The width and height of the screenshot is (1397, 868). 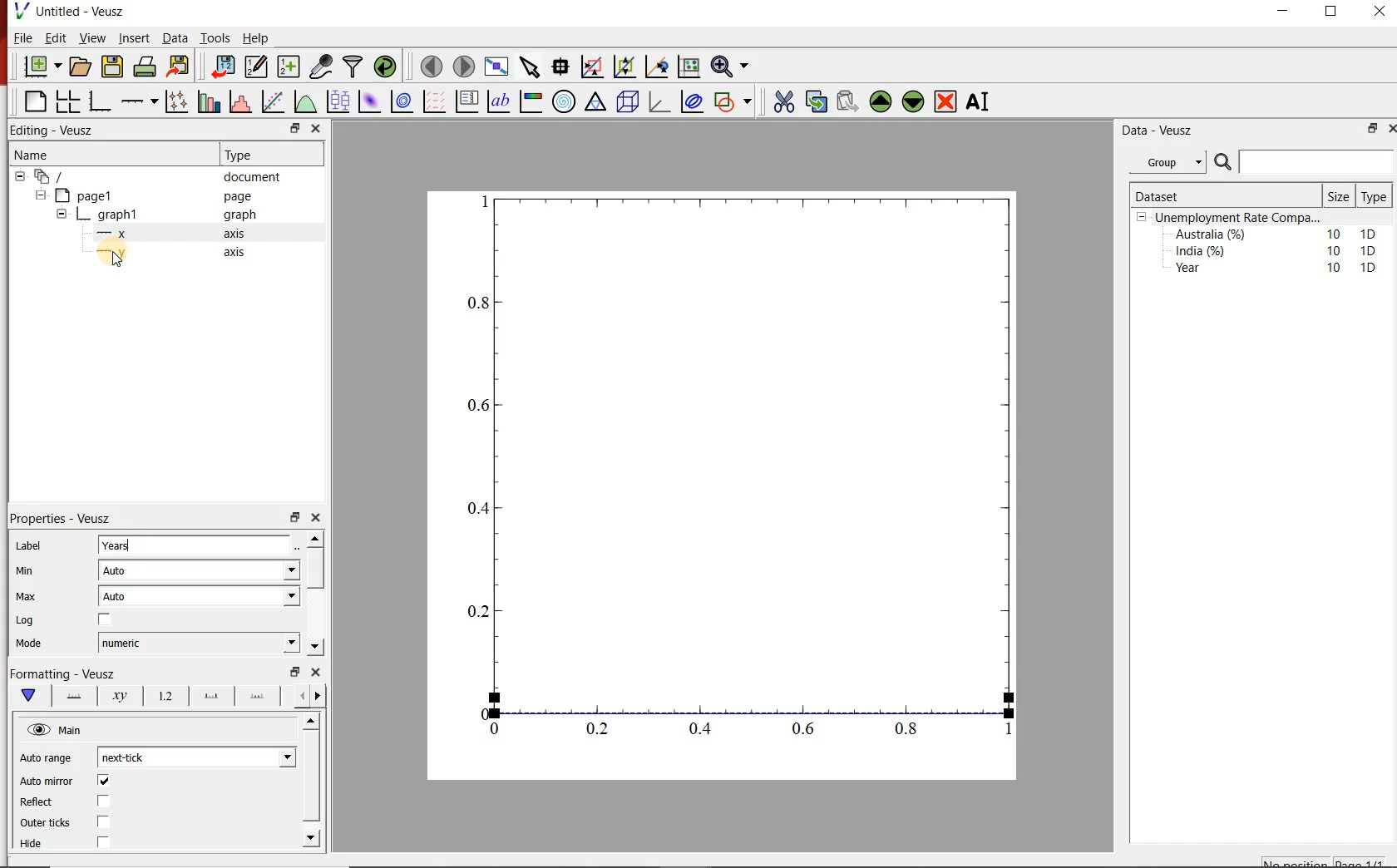 What do you see at coordinates (432, 65) in the screenshot?
I see `move to previous page` at bounding box center [432, 65].